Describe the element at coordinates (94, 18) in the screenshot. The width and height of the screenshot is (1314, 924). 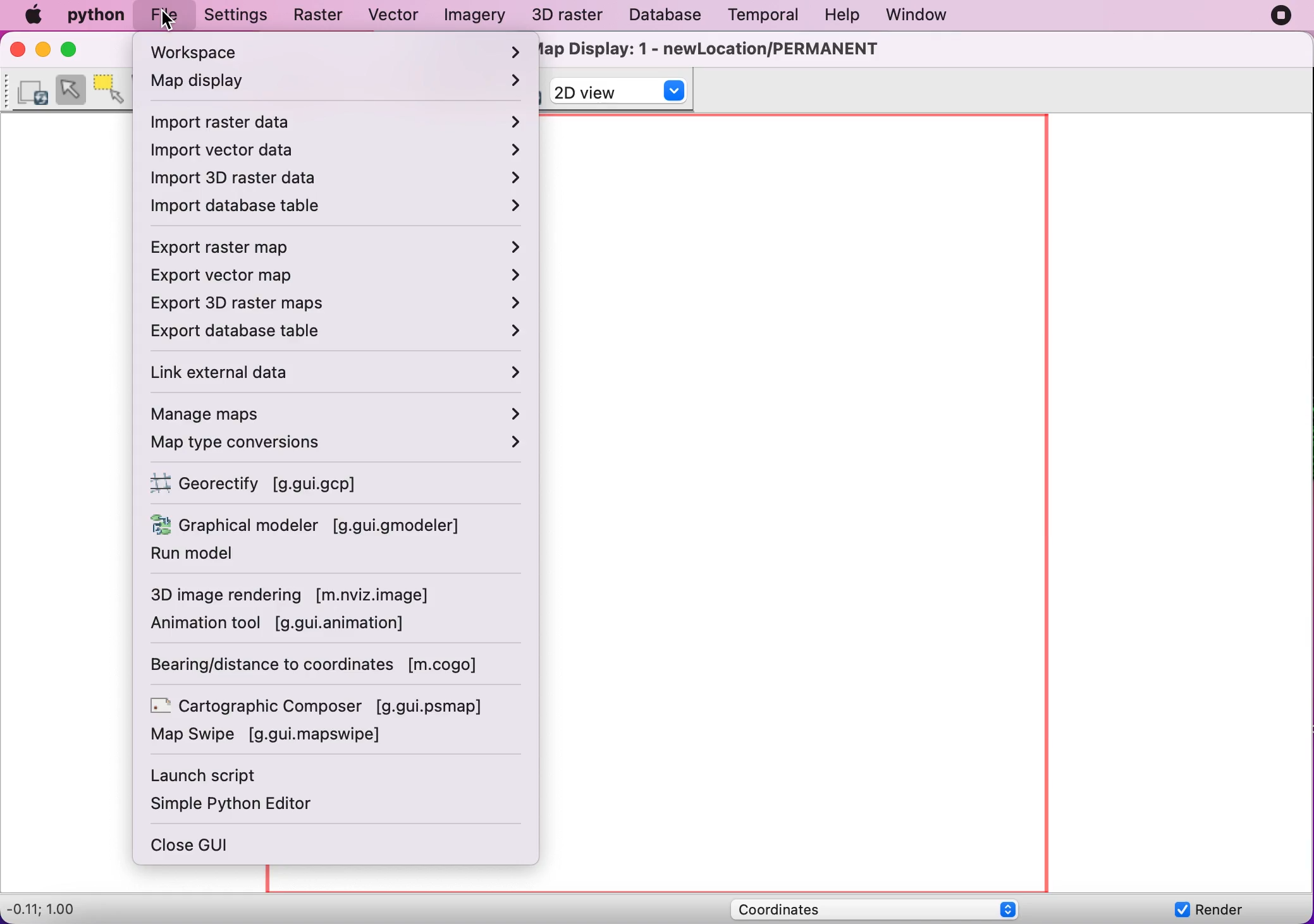
I see `python` at that location.